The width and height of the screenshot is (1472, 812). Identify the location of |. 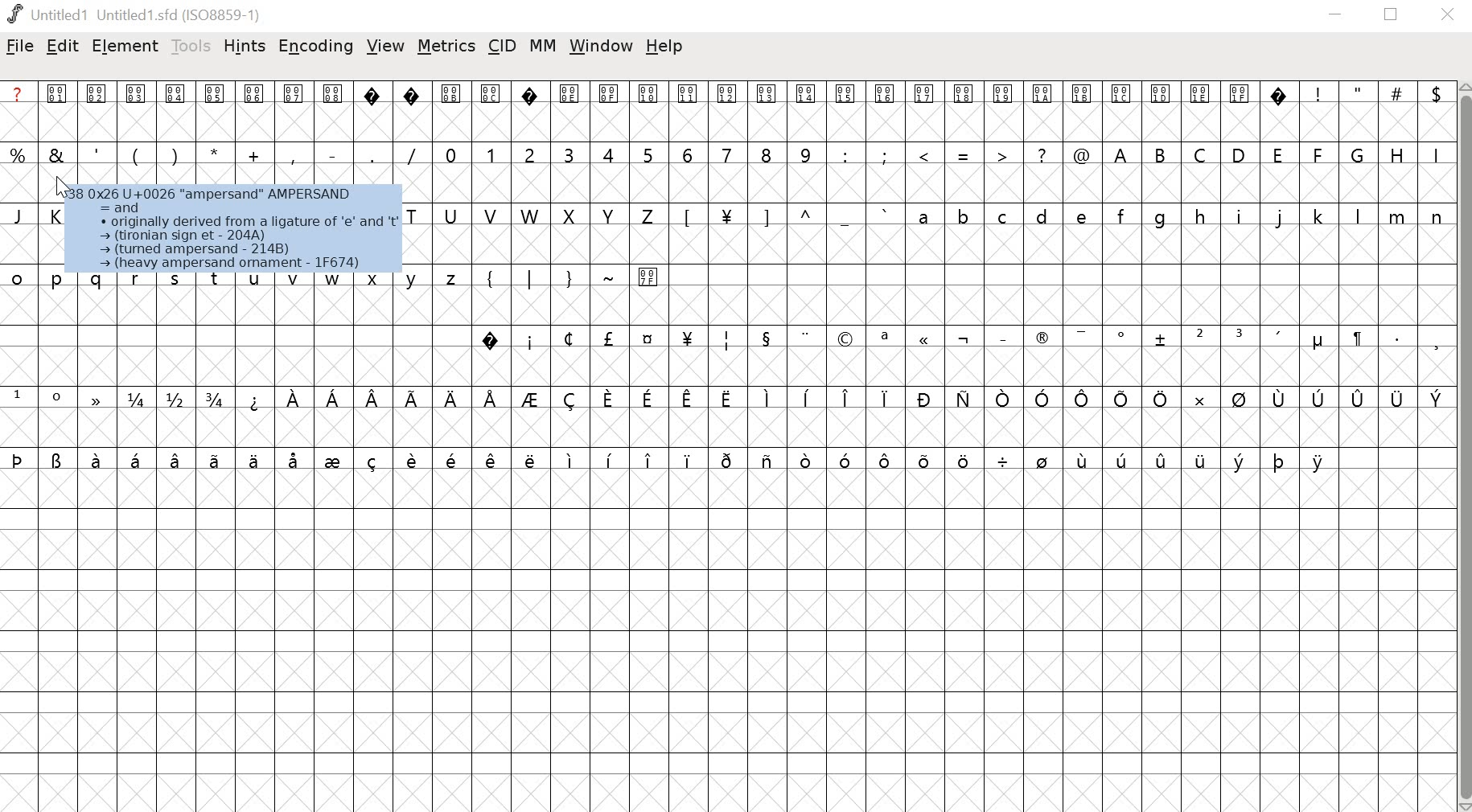
(532, 277).